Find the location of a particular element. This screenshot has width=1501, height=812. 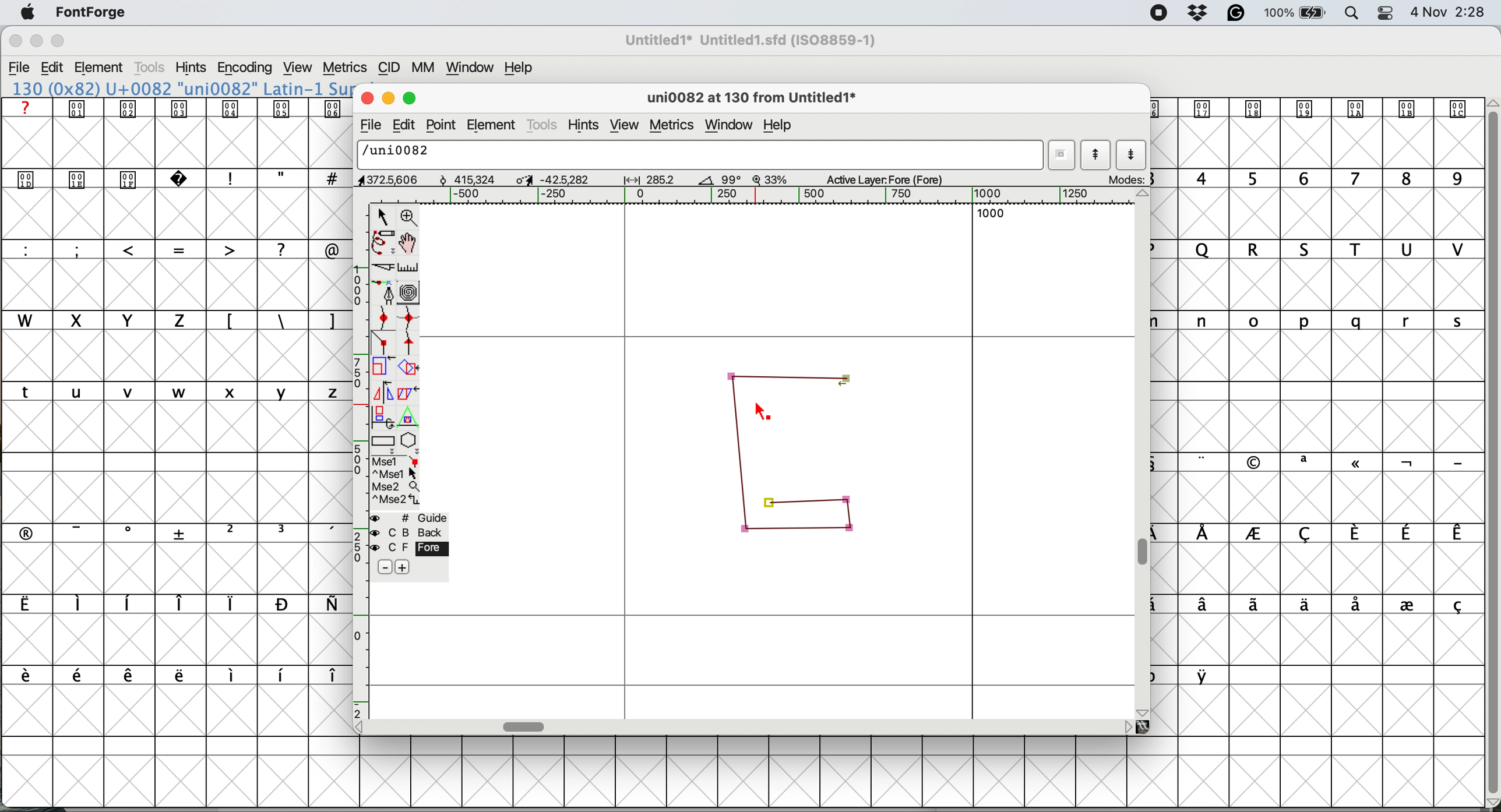

symbols is located at coordinates (281, 322).